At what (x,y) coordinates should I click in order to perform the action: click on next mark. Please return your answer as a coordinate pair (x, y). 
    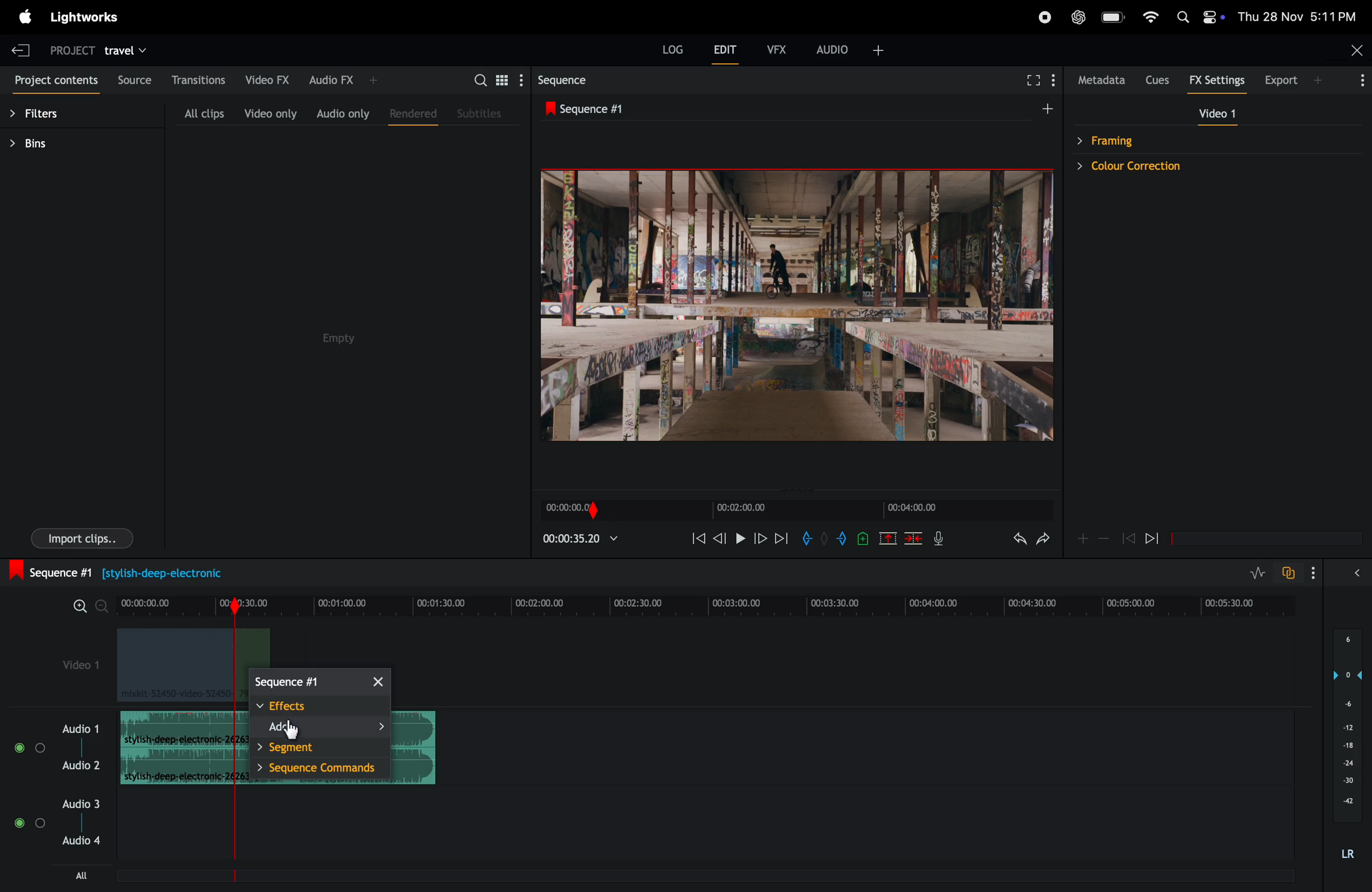
    Looking at the image, I should click on (782, 538).